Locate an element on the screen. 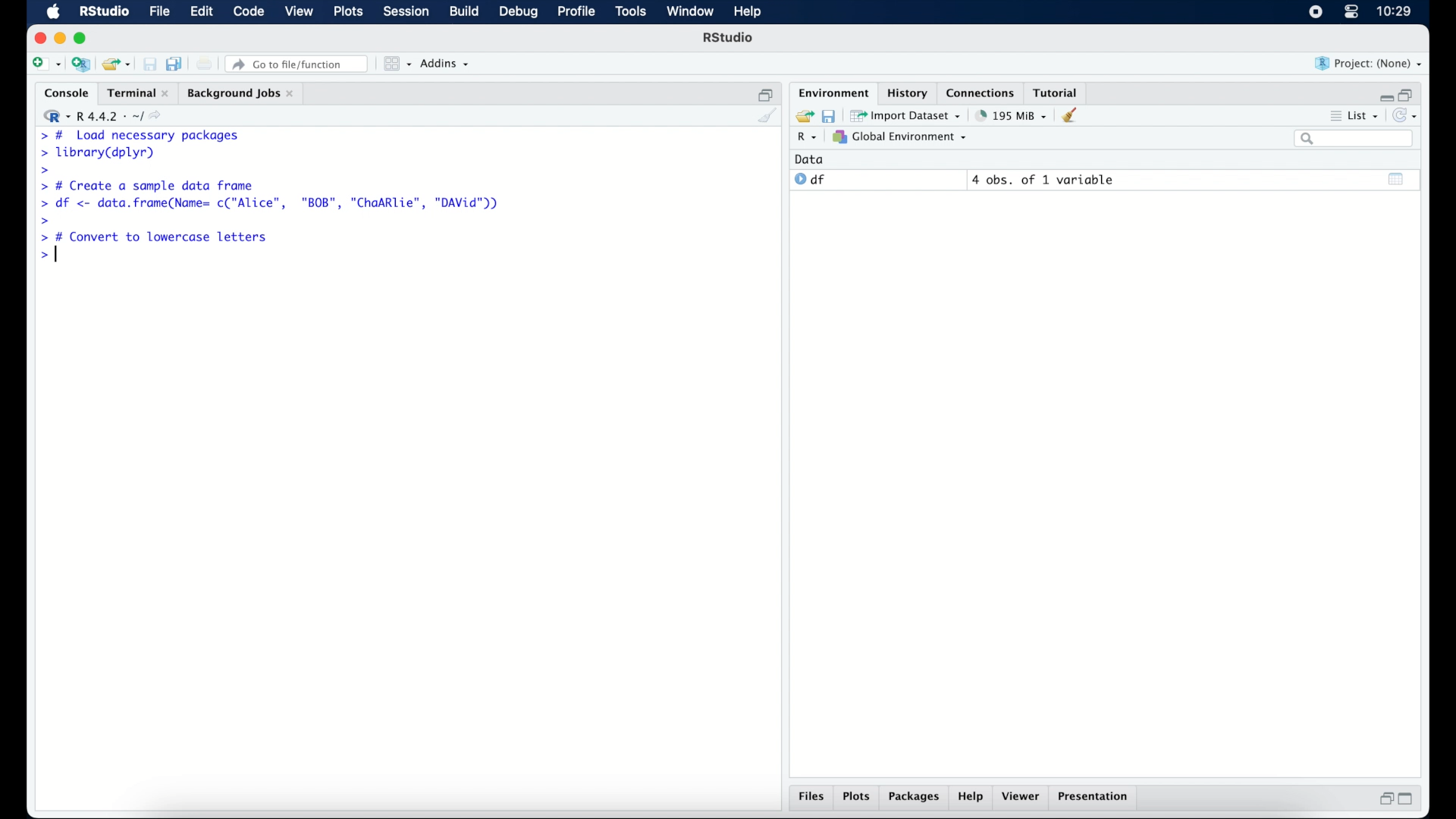 The height and width of the screenshot is (819, 1456). command prompt is located at coordinates (45, 220).